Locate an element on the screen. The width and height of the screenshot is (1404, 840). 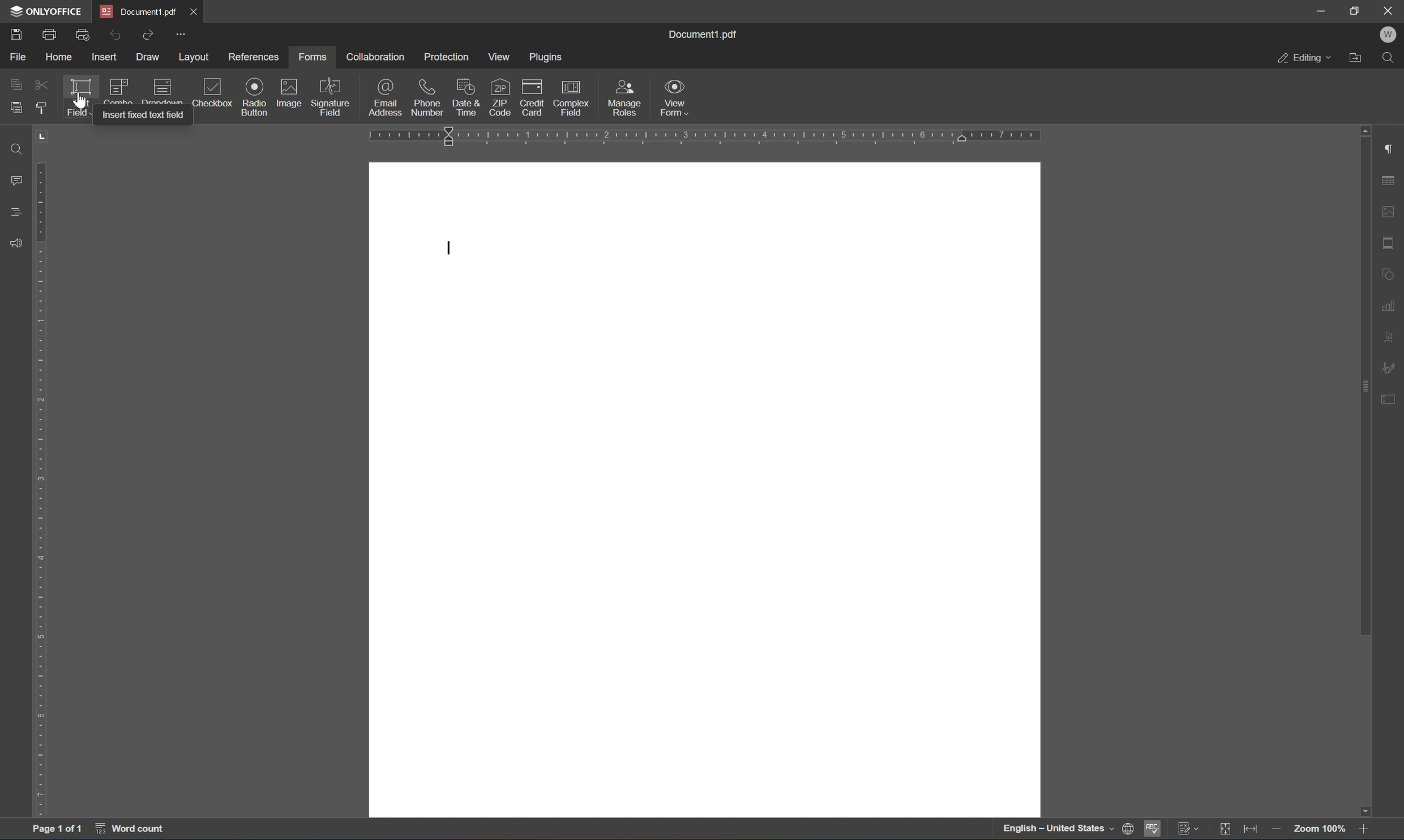
track changes is located at coordinates (1187, 829).